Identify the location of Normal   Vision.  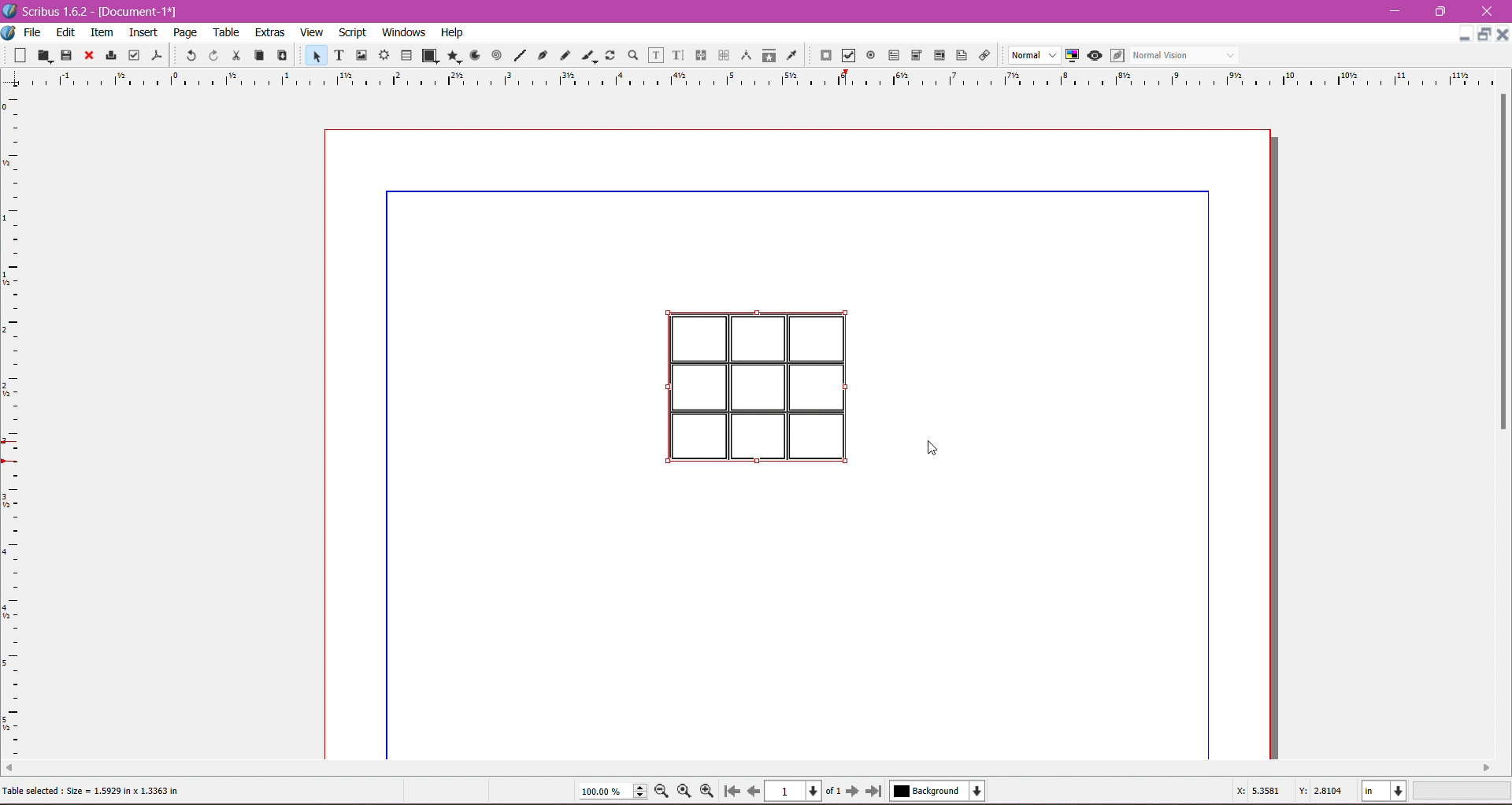
(1186, 54).